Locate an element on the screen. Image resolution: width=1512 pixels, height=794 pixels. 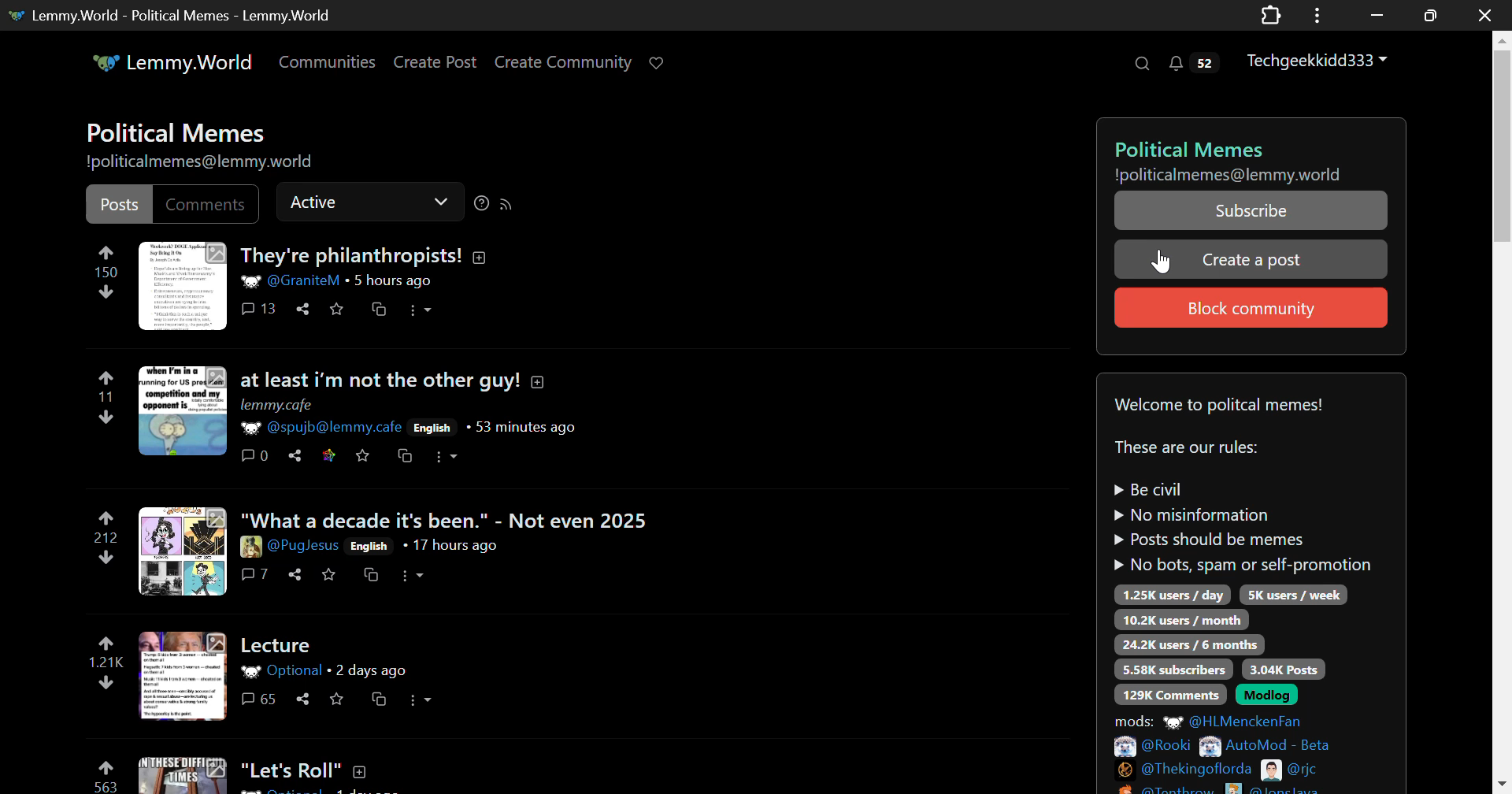
!politicalmemes@lemmy.world is located at coordinates (200, 164).